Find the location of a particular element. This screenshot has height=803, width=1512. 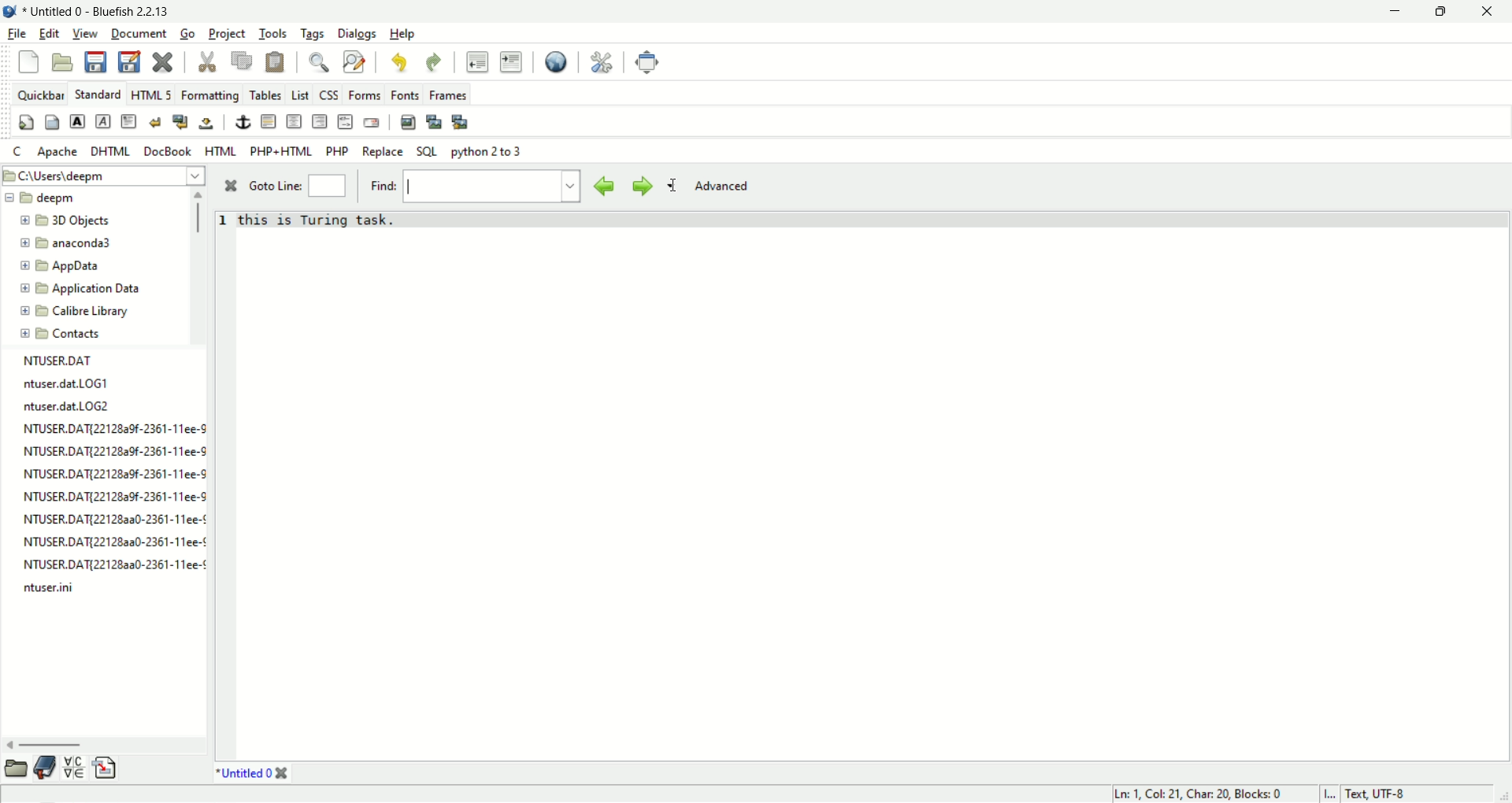

NTUSER.DATI221282a9f-2361-11ee-8 is located at coordinates (112, 496).